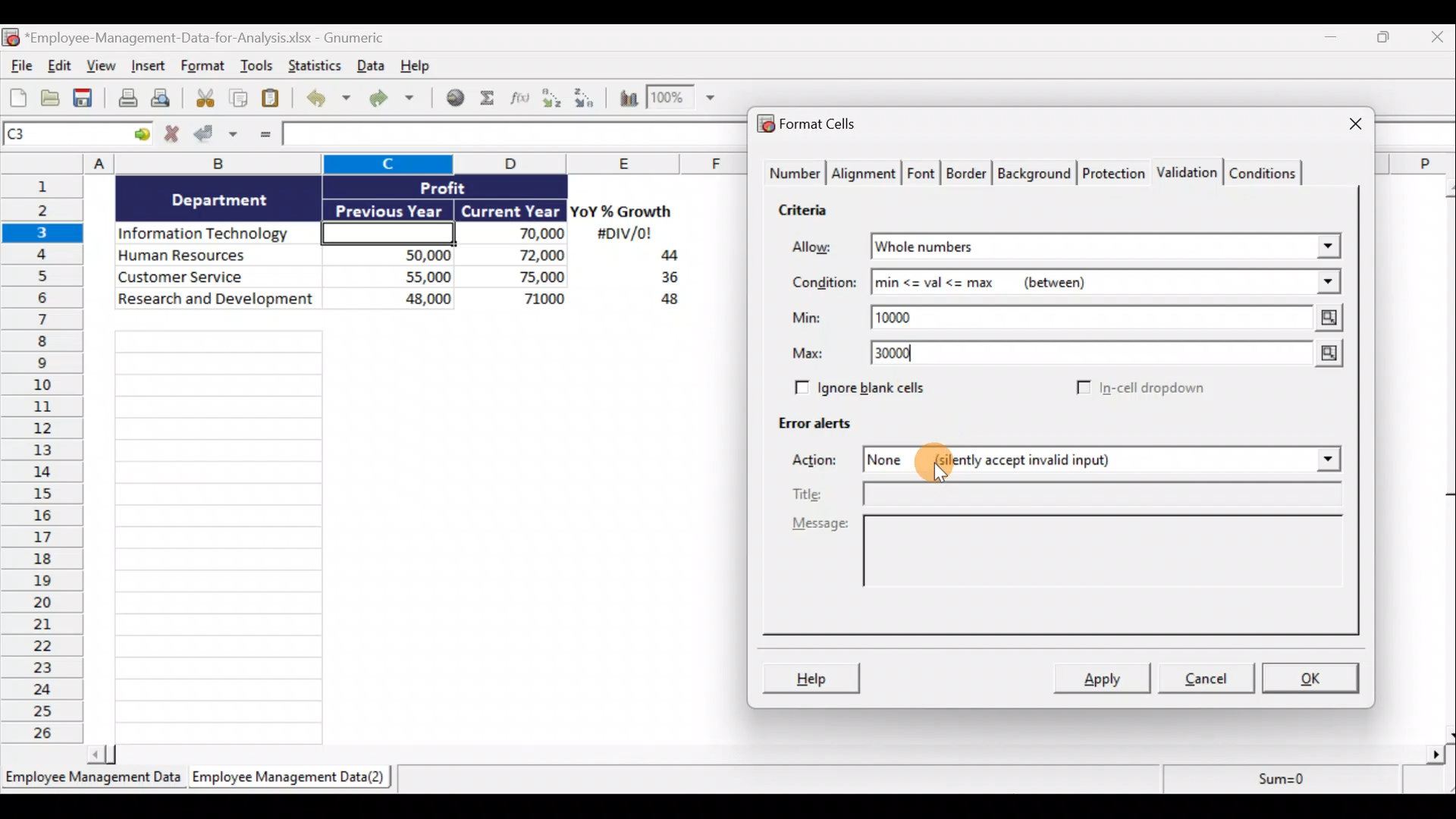 This screenshot has width=1456, height=819. What do you see at coordinates (331, 99) in the screenshot?
I see `Undo last action` at bounding box center [331, 99].